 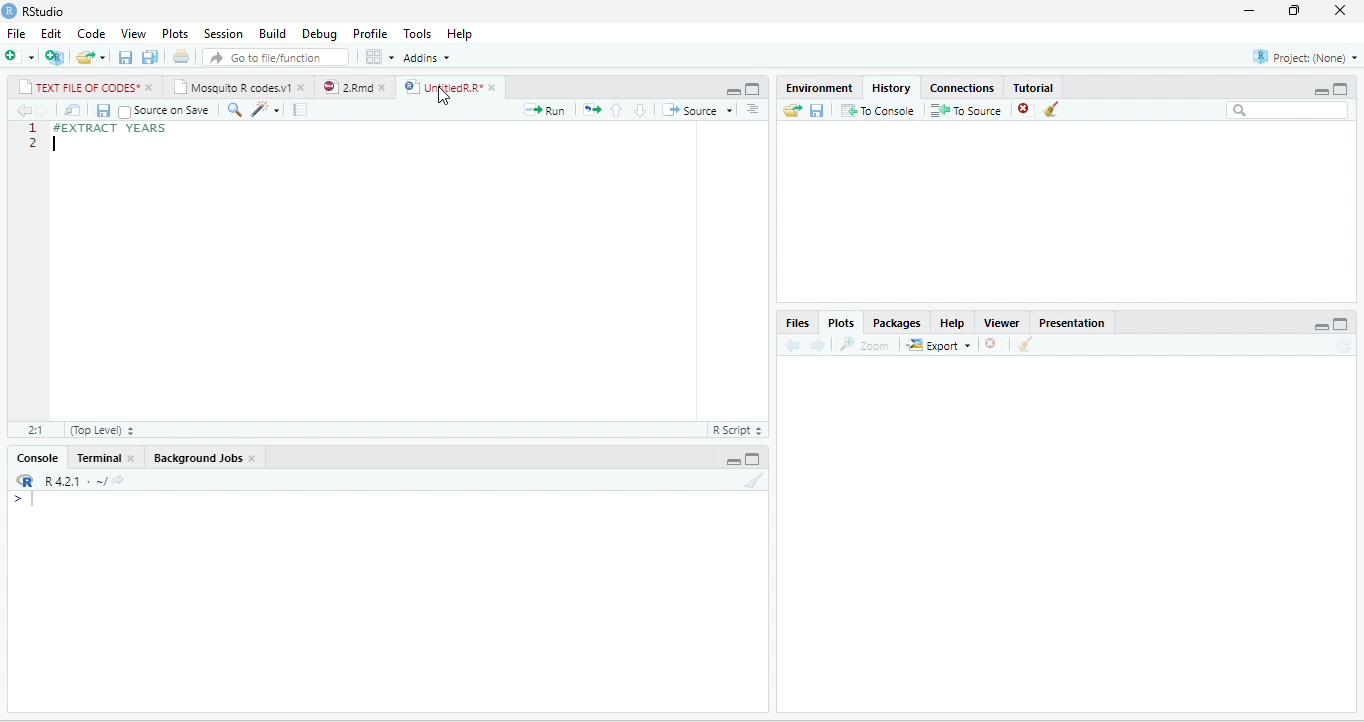 What do you see at coordinates (1340, 11) in the screenshot?
I see `close` at bounding box center [1340, 11].